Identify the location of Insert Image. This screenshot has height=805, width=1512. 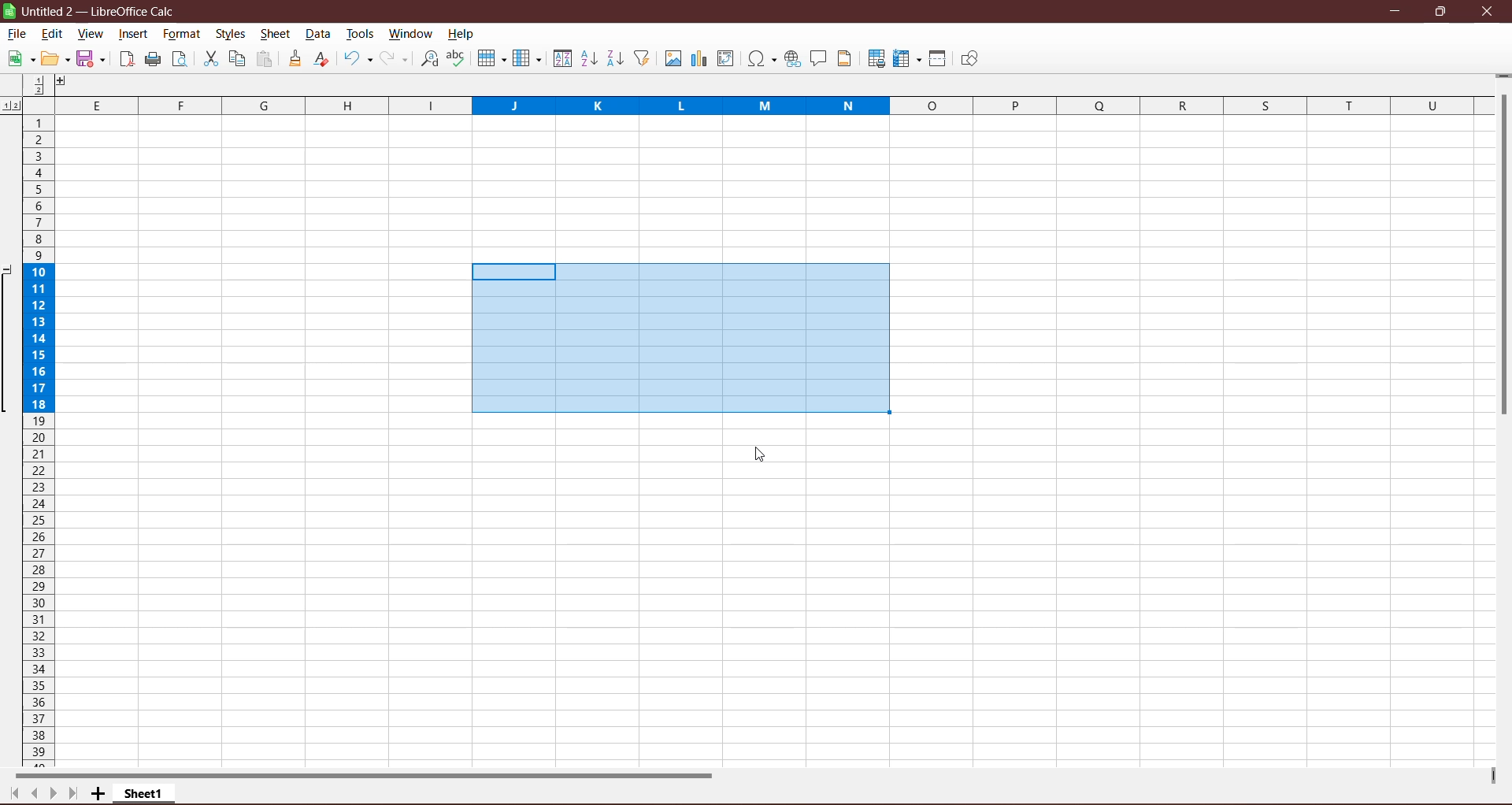
(672, 59).